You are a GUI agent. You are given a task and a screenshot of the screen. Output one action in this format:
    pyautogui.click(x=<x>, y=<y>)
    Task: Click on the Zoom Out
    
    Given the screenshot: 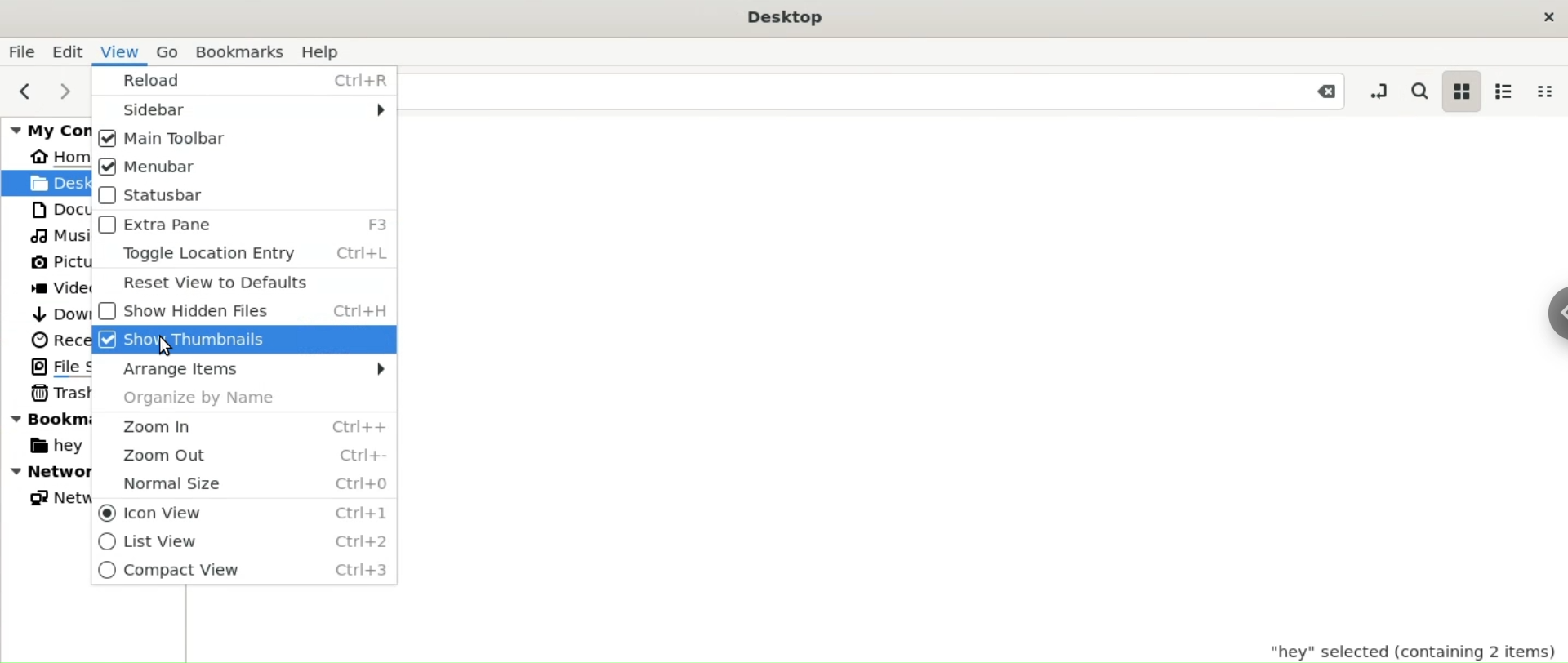 What is the action you would take?
    pyautogui.click(x=242, y=453)
    